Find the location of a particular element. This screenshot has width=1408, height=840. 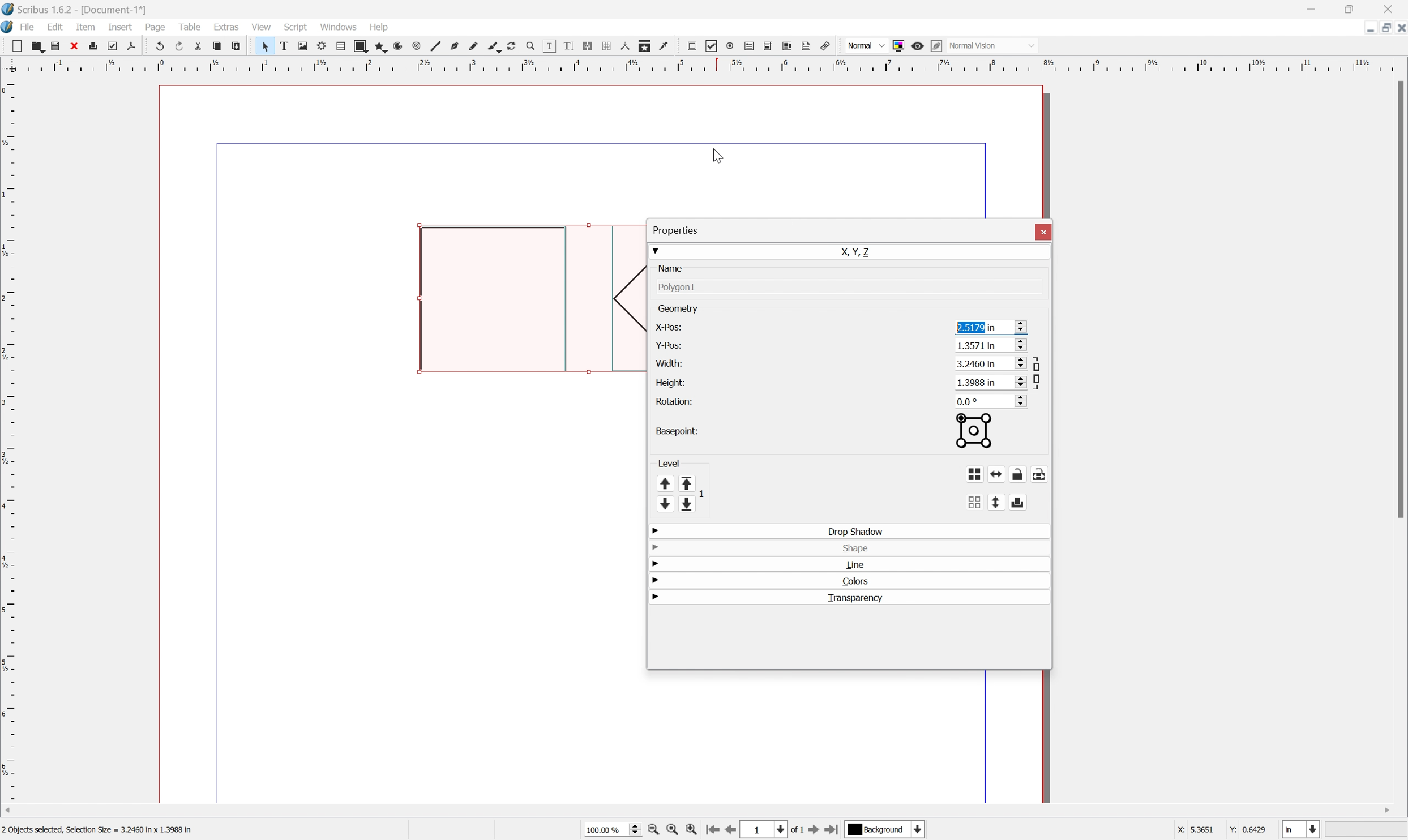

table is located at coordinates (192, 28).